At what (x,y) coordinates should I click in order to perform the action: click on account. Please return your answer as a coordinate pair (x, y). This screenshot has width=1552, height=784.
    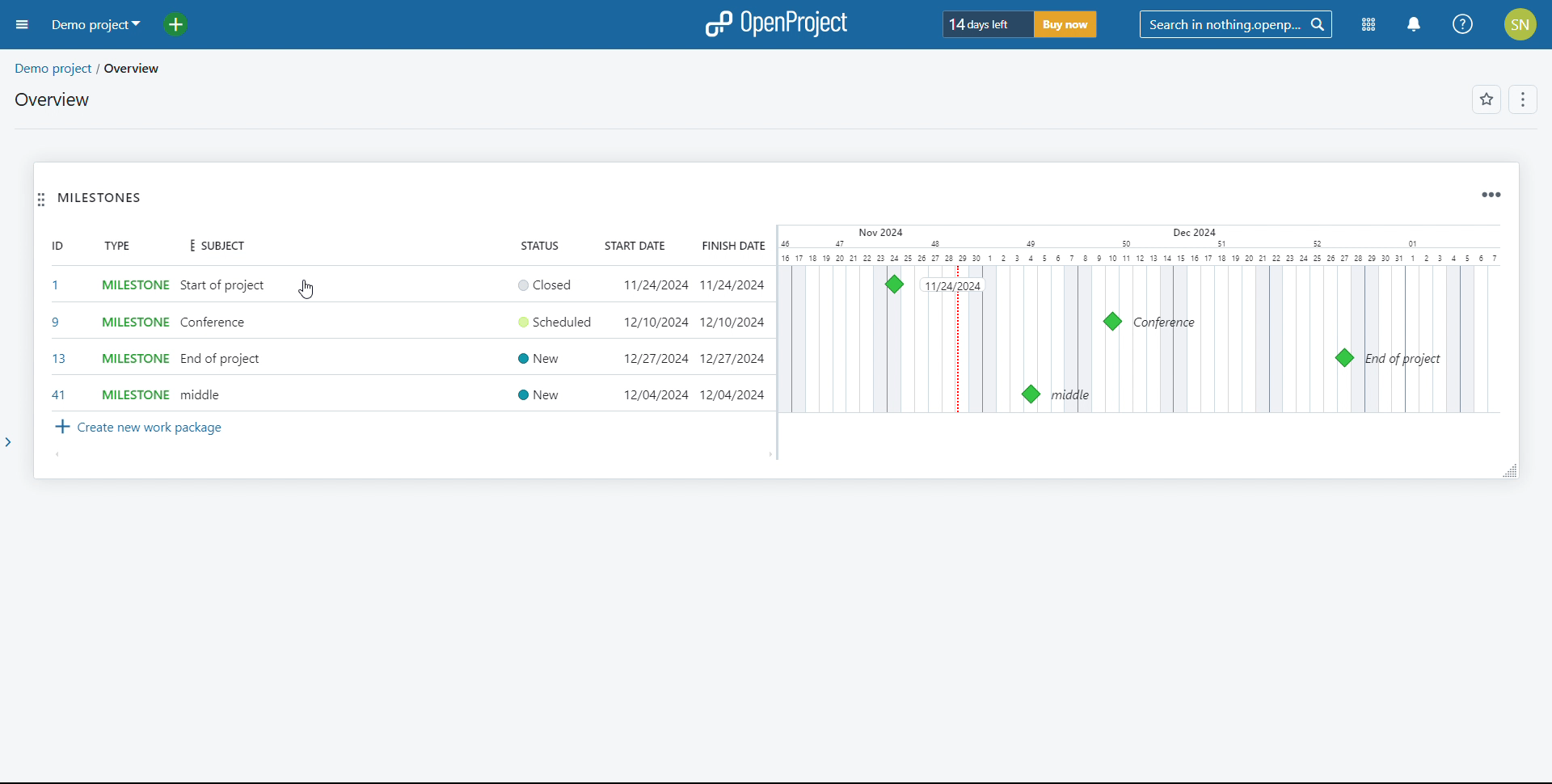
    Looking at the image, I should click on (1520, 24).